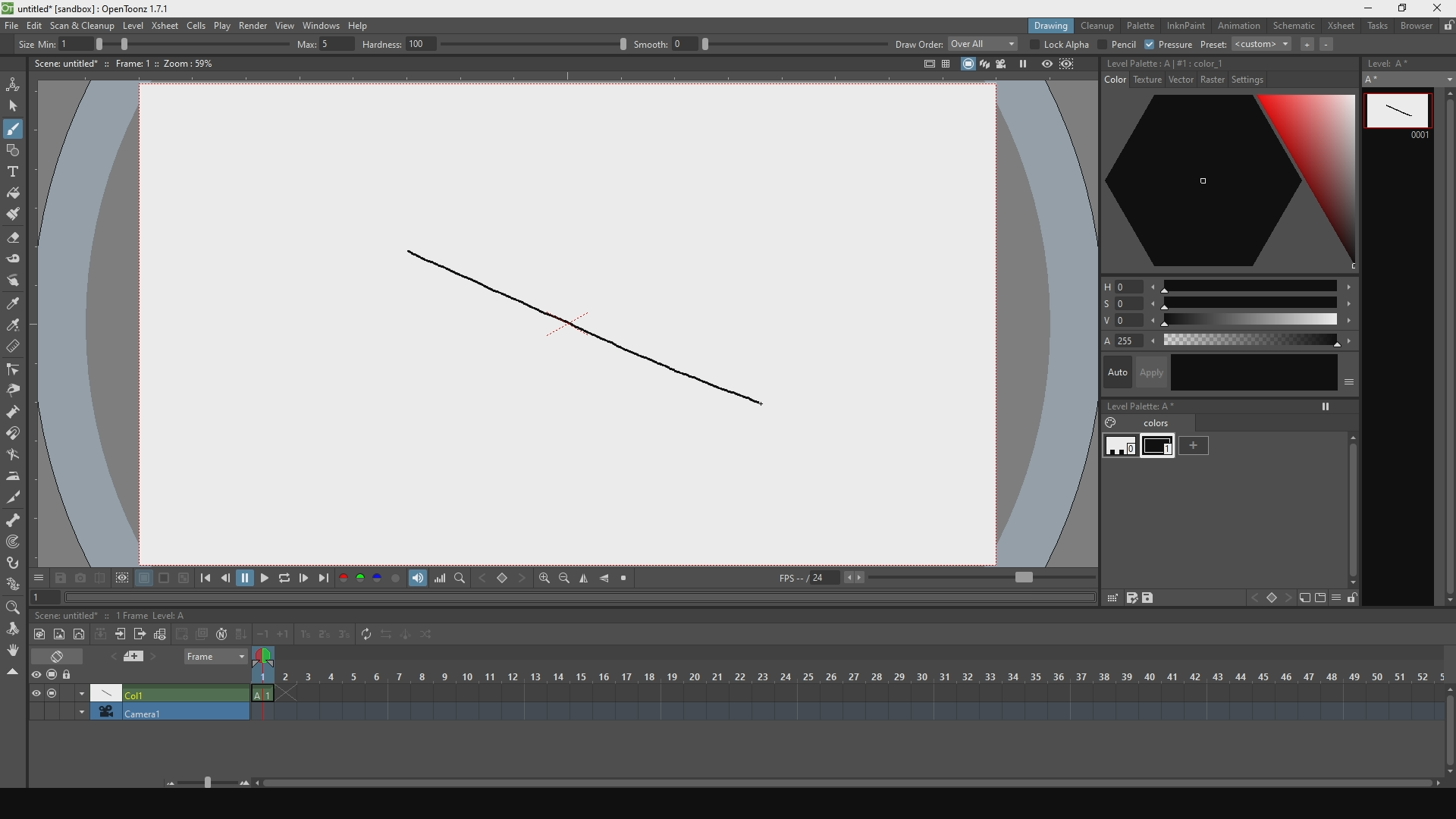 The height and width of the screenshot is (819, 1456). I want to click on frames toolbar, so click(136, 633).